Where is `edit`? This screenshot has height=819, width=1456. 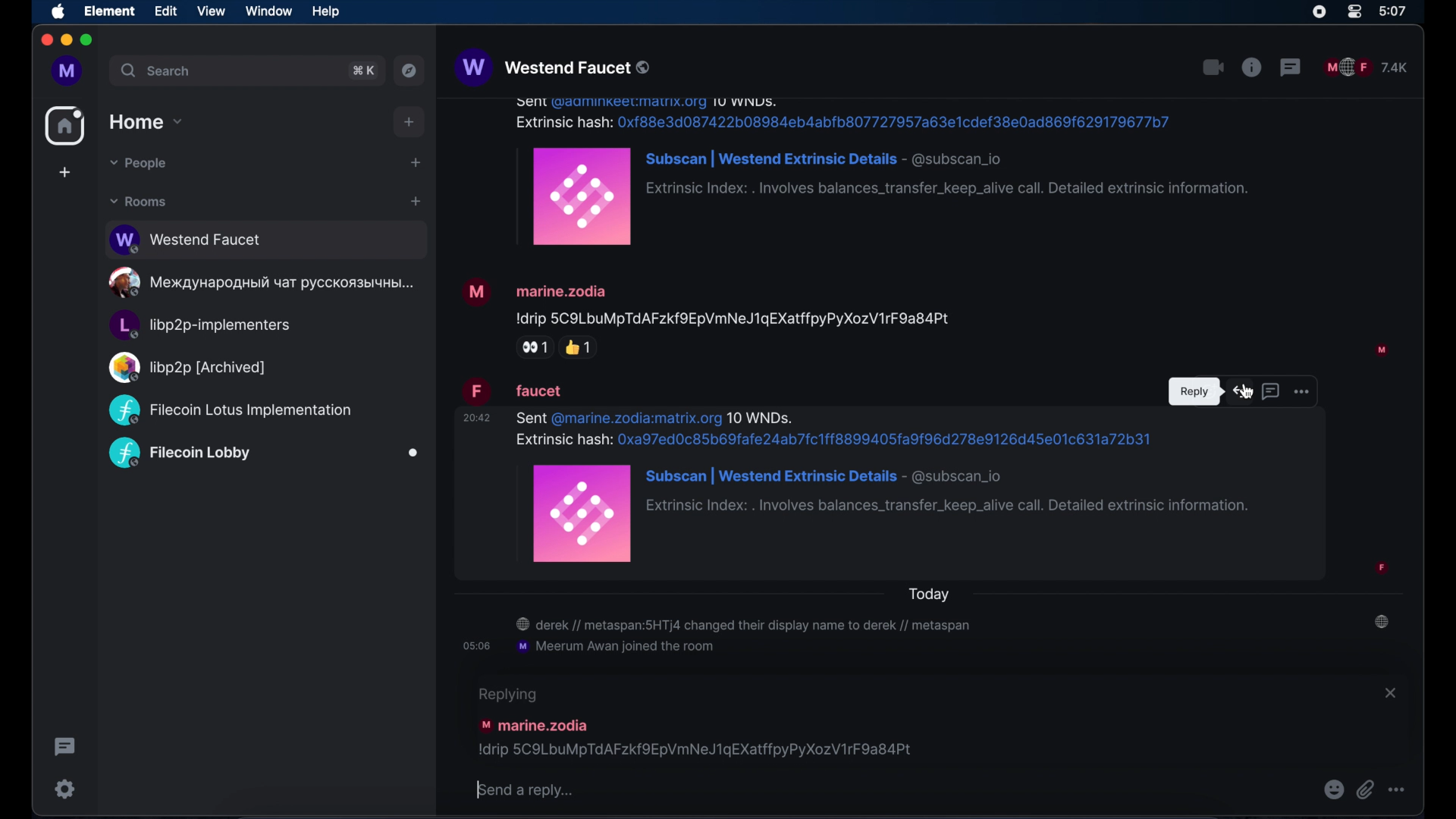
edit is located at coordinates (165, 11).